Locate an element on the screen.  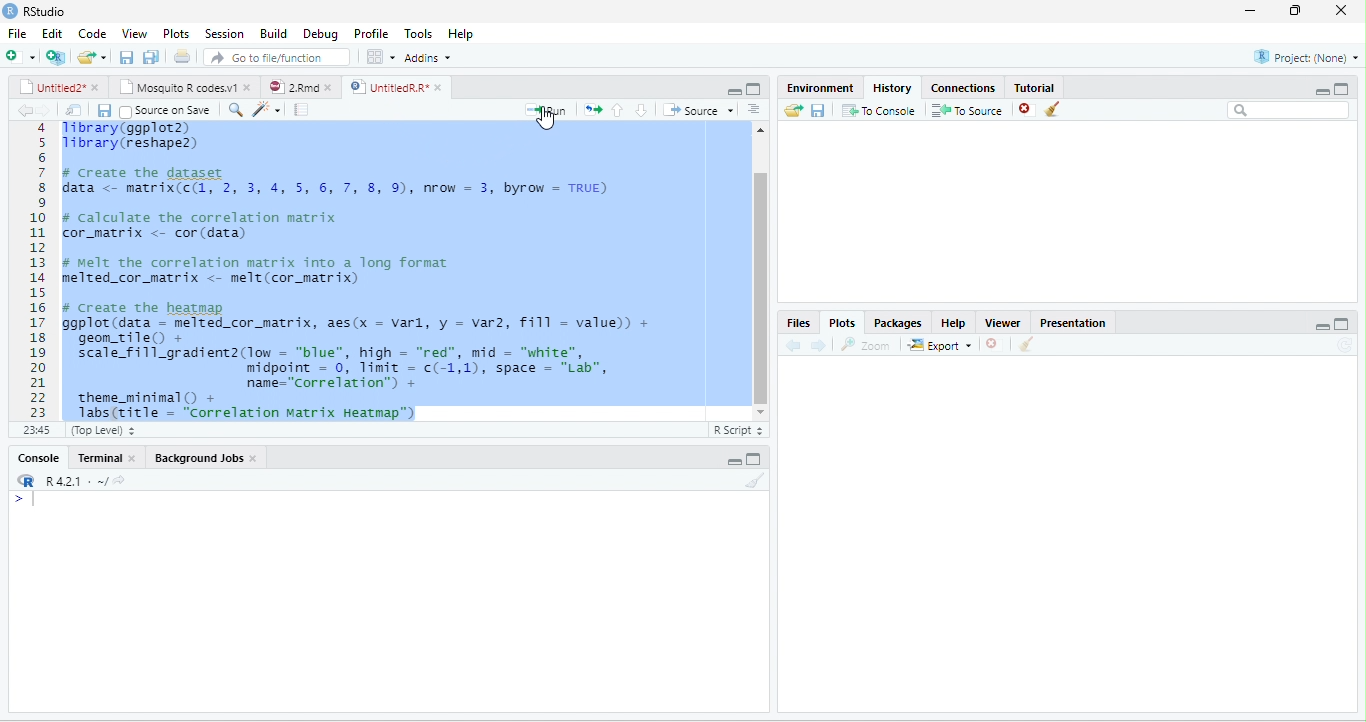
cursor is located at coordinates (551, 119).